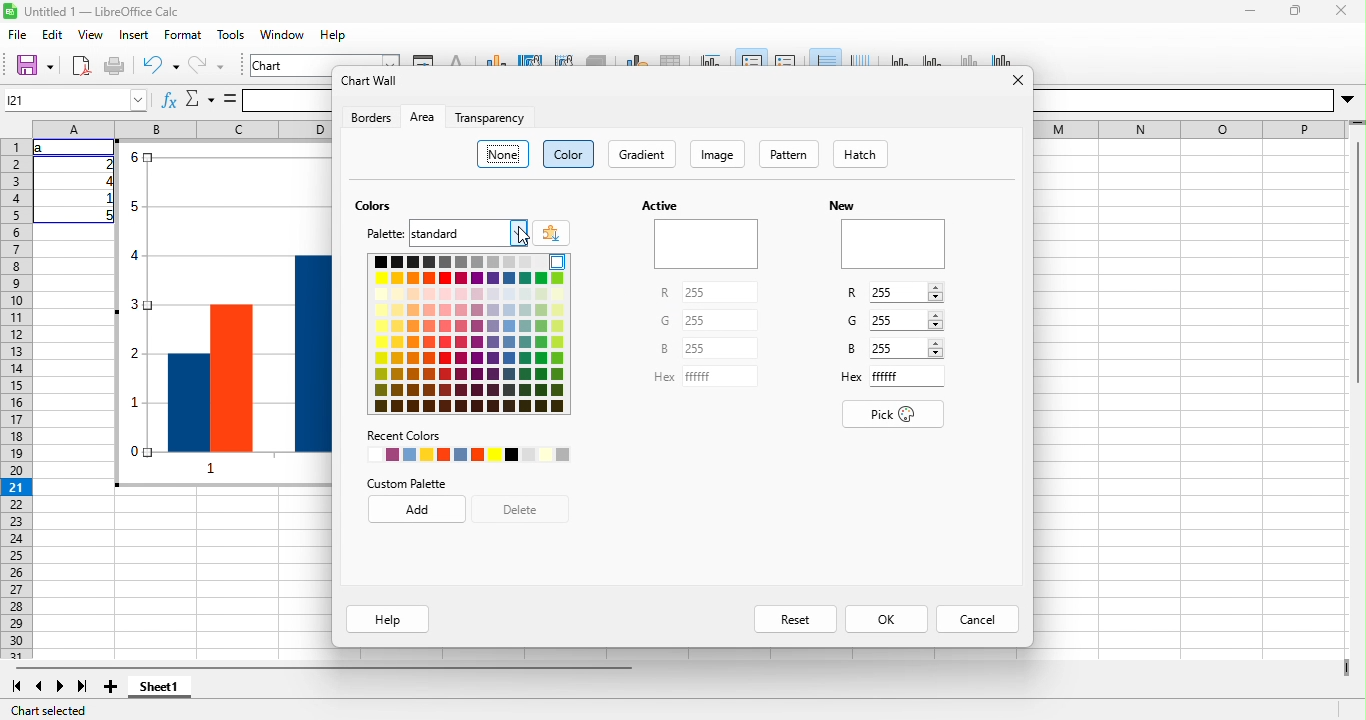 The height and width of the screenshot is (720, 1366). Describe the element at coordinates (183, 34) in the screenshot. I see `format` at that location.